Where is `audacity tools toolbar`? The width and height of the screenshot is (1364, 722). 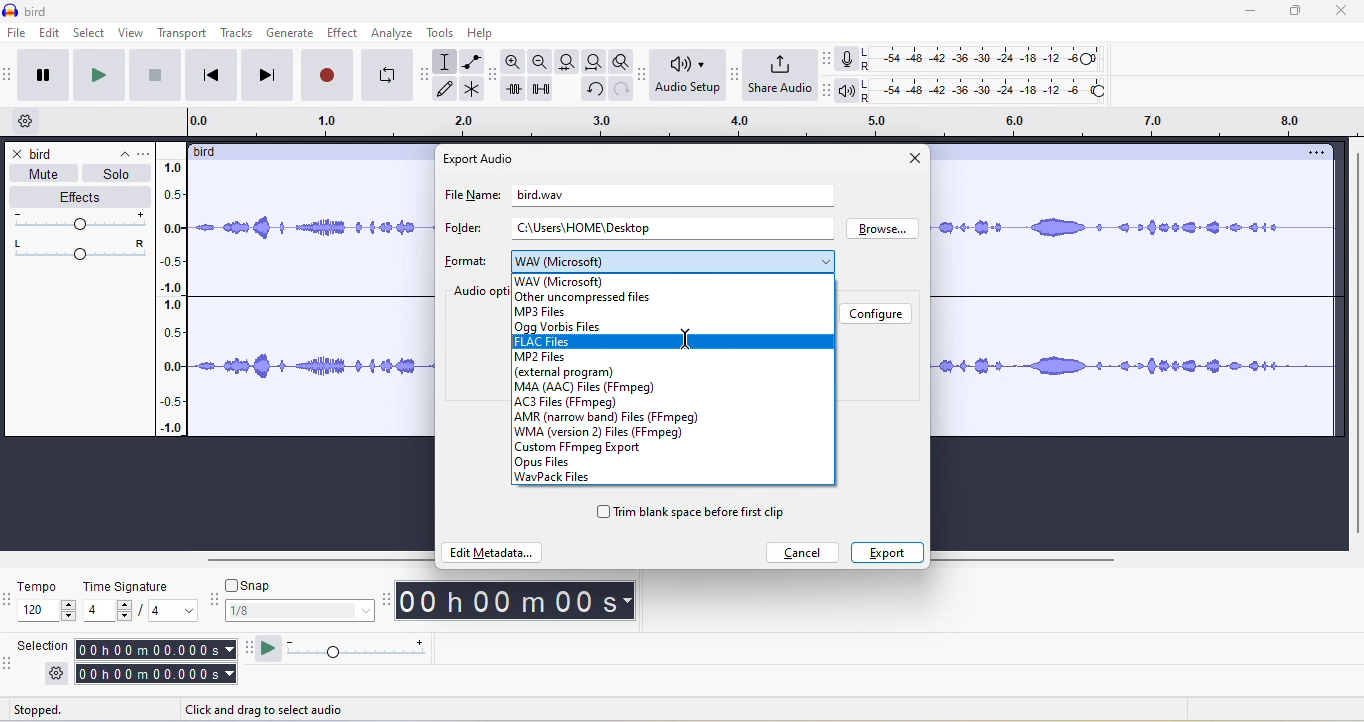
audacity tools toolbar is located at coordinates (428, 71).